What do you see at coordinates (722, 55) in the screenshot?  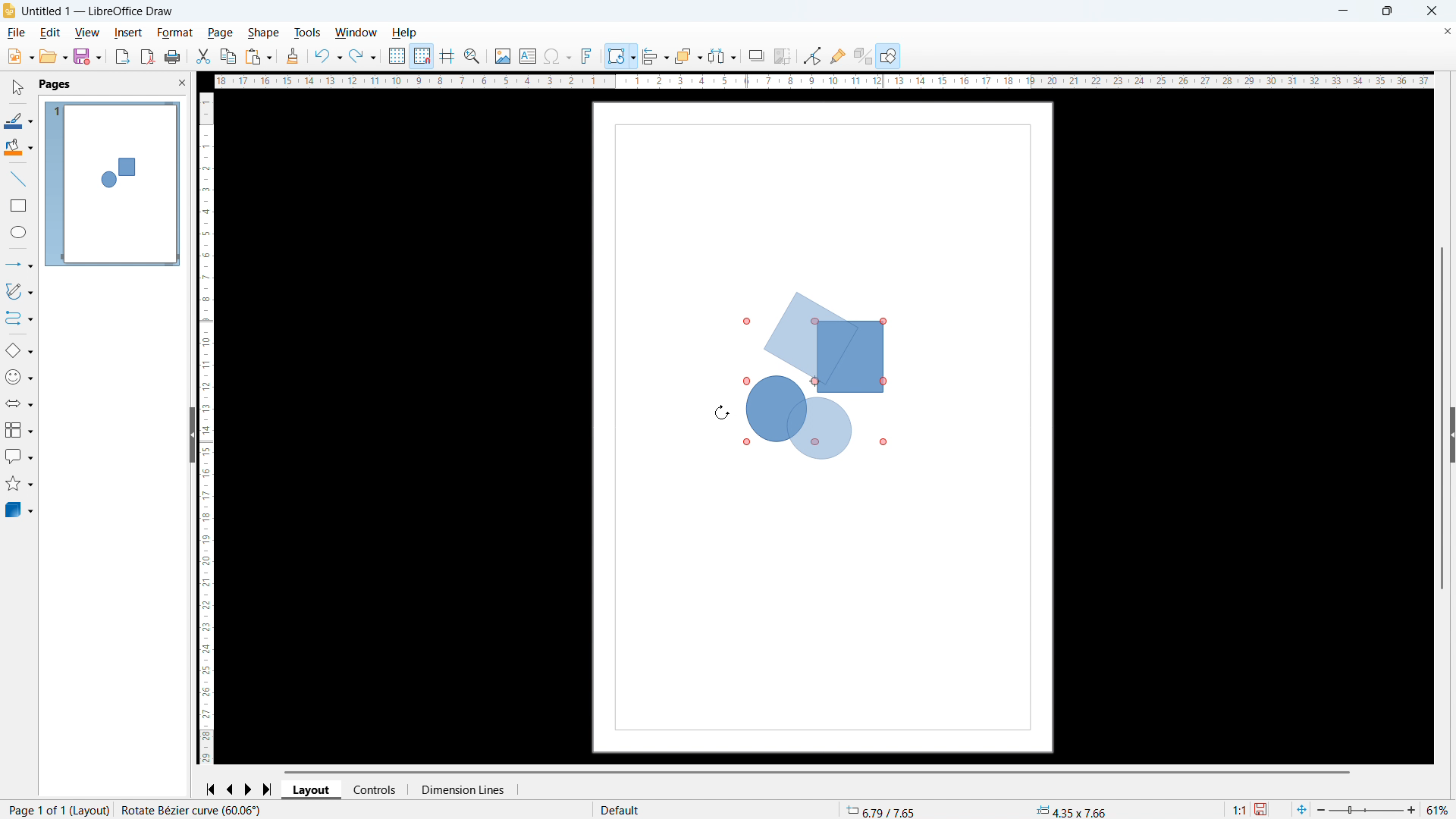 I see `Select at least three objects to distribute ` at bounding box center [722, 55].